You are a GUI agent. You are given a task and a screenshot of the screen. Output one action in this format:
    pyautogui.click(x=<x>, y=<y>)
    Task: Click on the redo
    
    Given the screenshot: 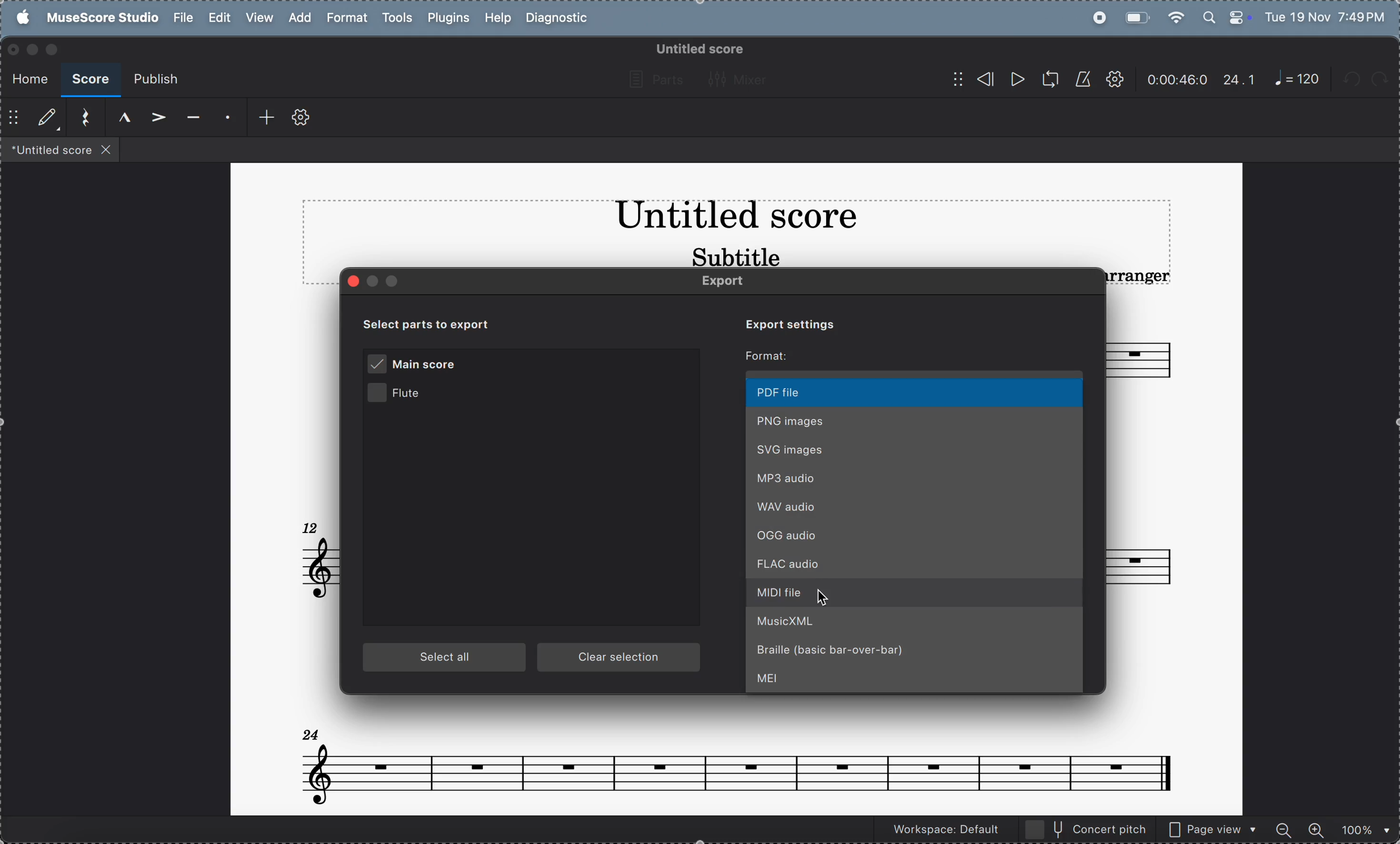 What is the action you would take?
    pyautogui.click(x=1386, y=80)
    